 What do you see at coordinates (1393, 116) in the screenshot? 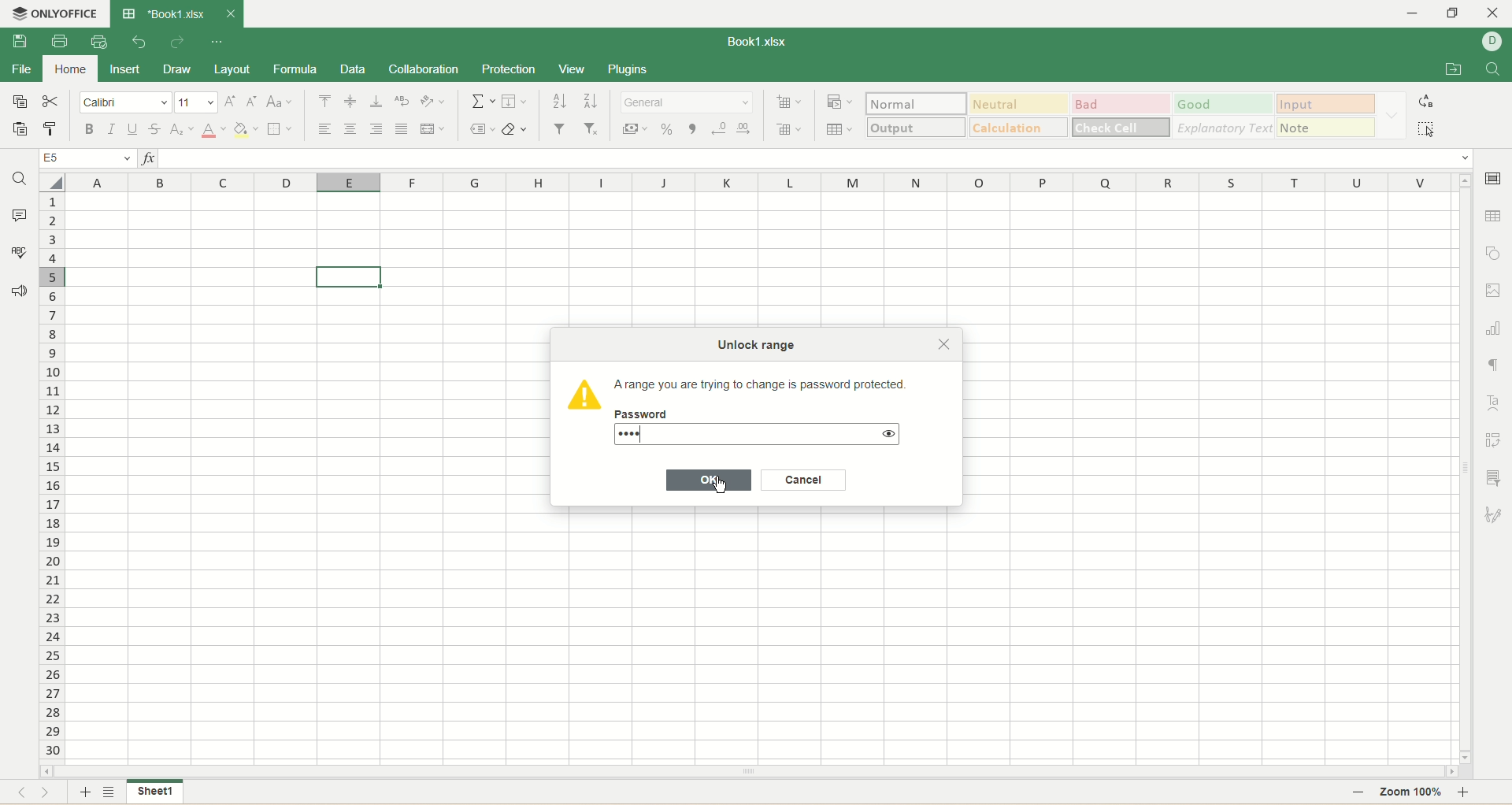
I see `formatting options` at bounding box center [1393, 116].